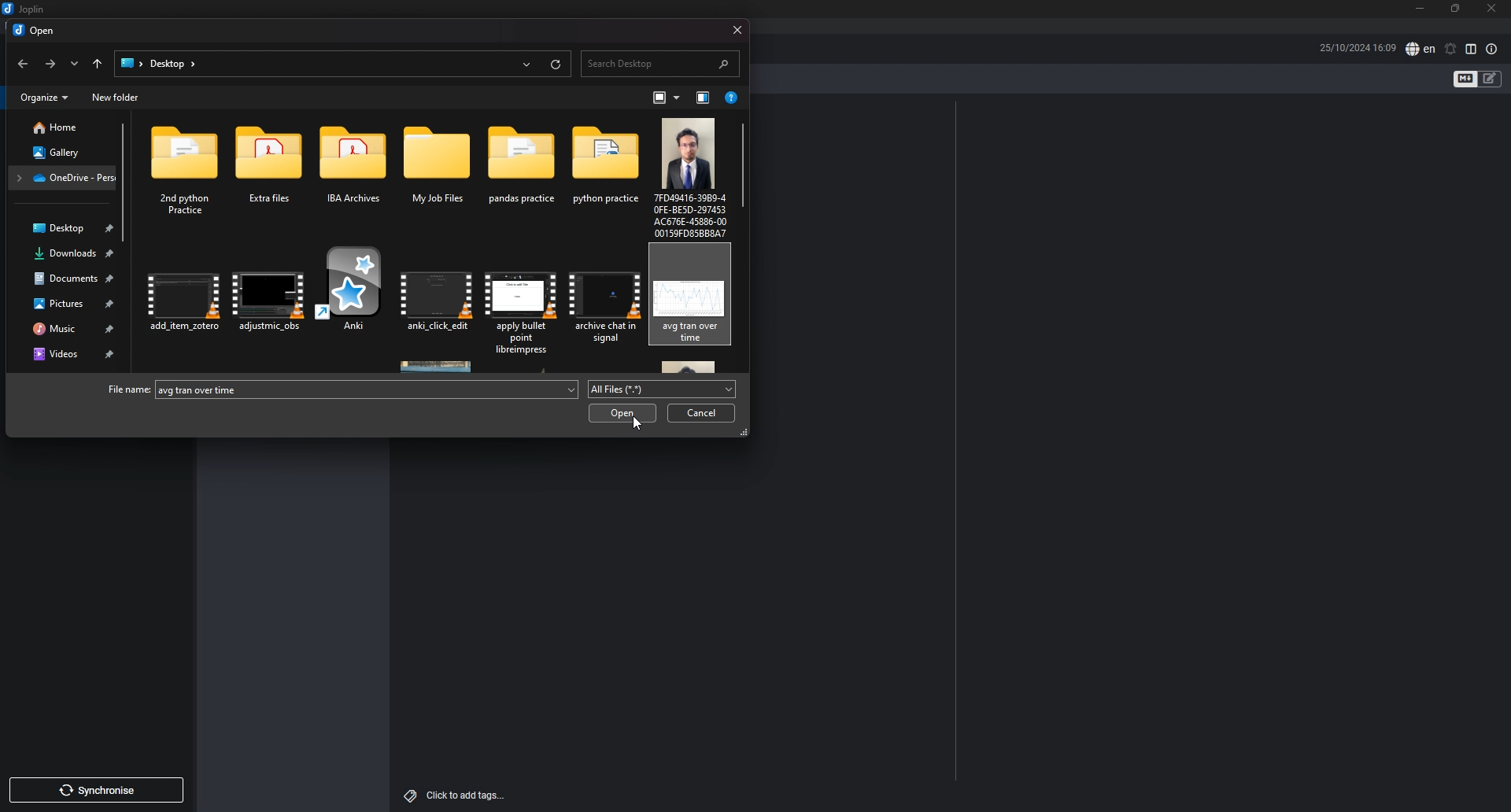 Image resolution: width=1511 pixels, height=812 pixels. Describe the element at coordinates (604, 304) in the screenshot. I see `archieve chat in signal` at that location.